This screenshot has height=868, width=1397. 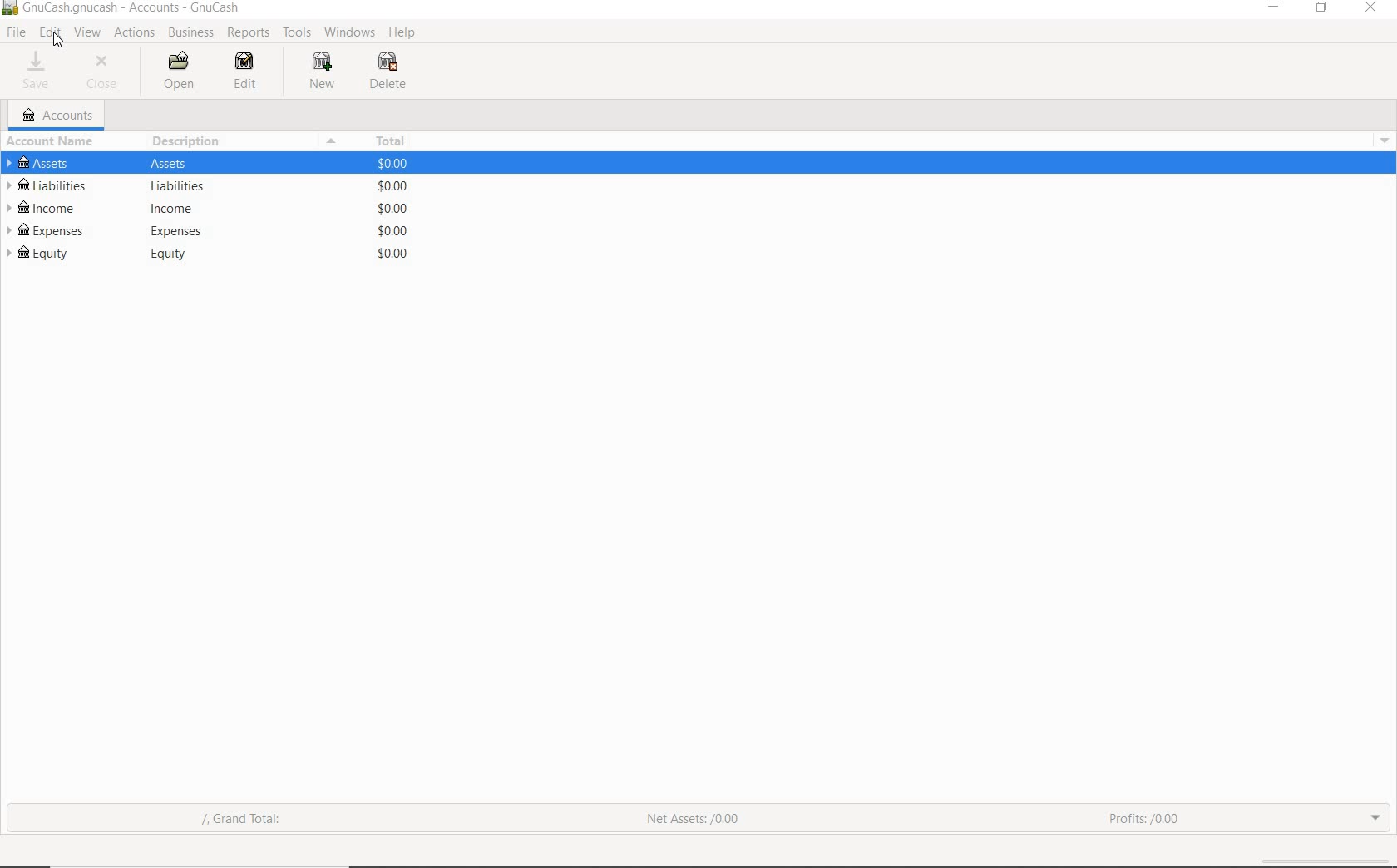 What do you see at coordinates (175, 210) in the screenshot?
I see `` at bounding box center [175, 210].